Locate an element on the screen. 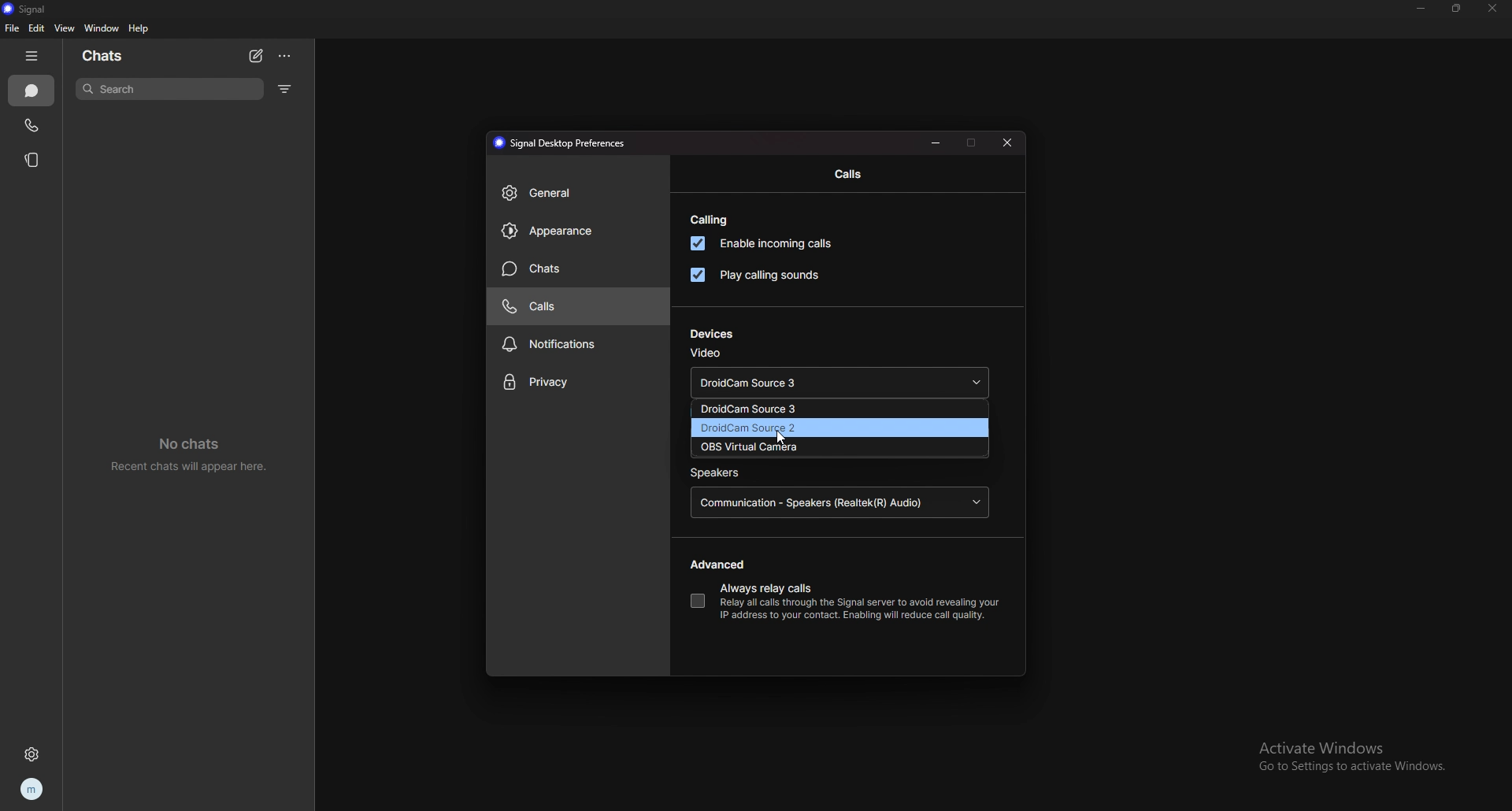 The width and height of the screenshot is (1512, 811). calls is located at coordinates (849, 175).